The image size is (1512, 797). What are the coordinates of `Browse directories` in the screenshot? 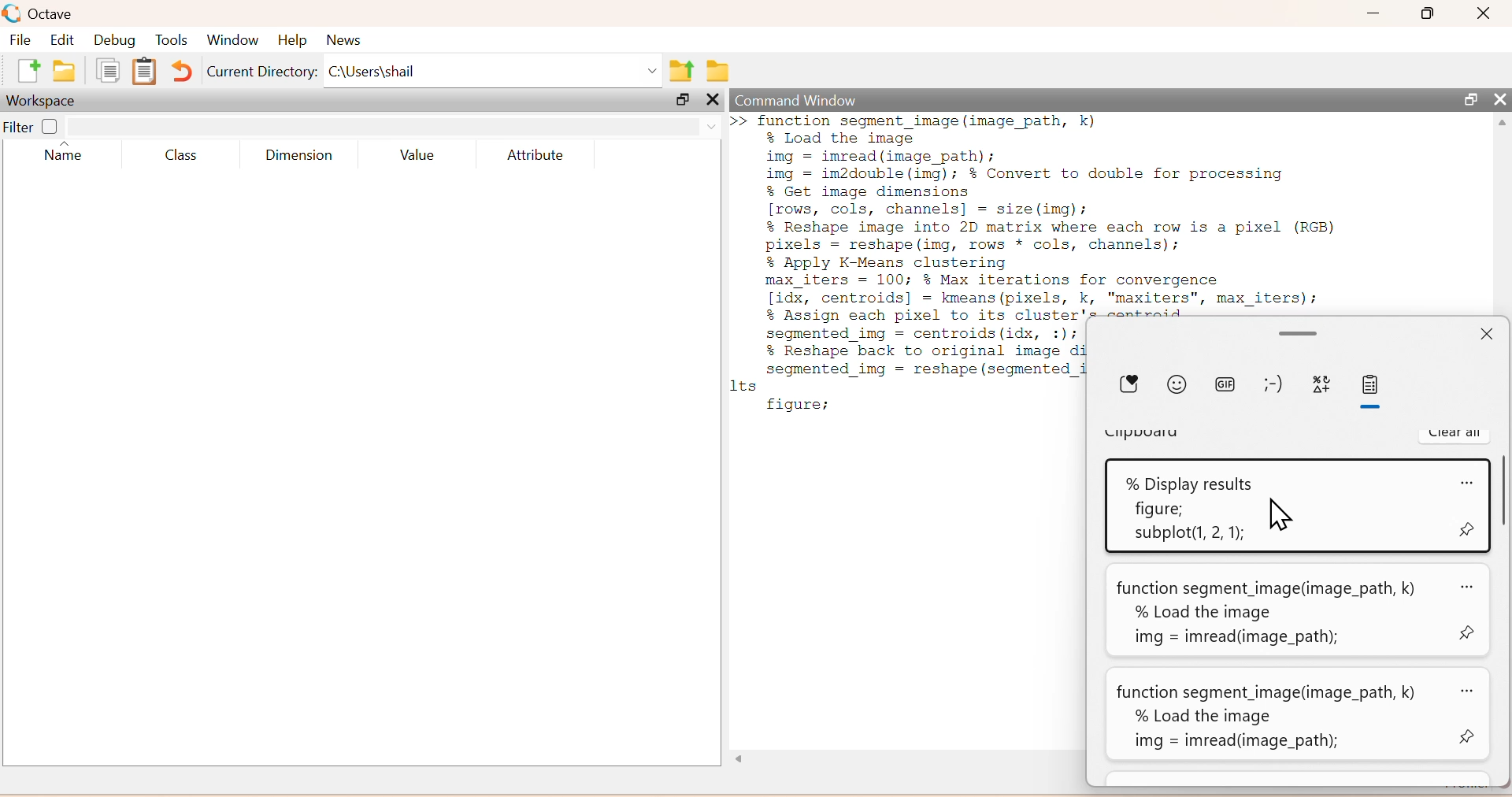 It's located at (717, 72).